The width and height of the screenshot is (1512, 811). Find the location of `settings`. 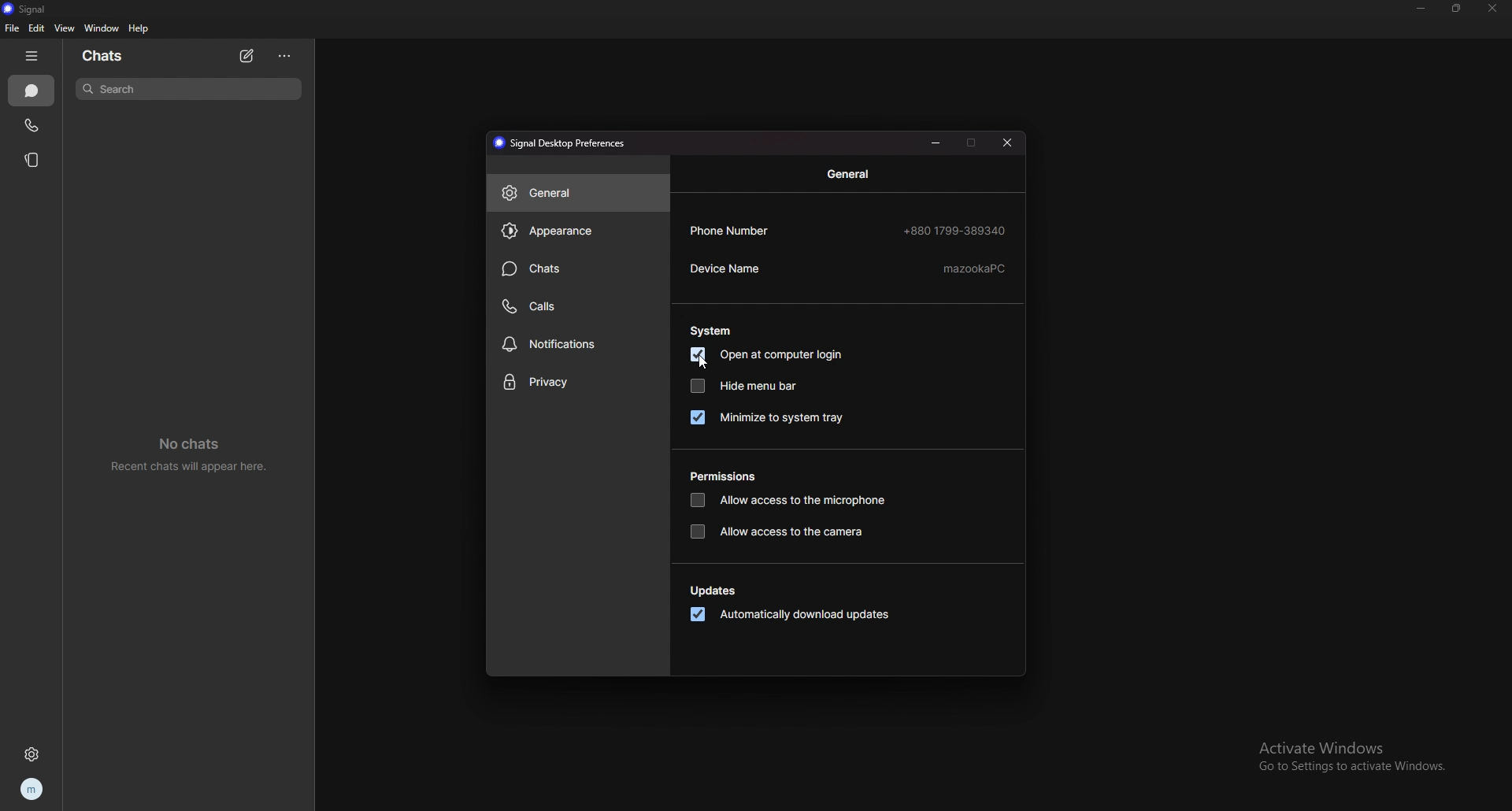

settings is located at coordinates (34, 754).